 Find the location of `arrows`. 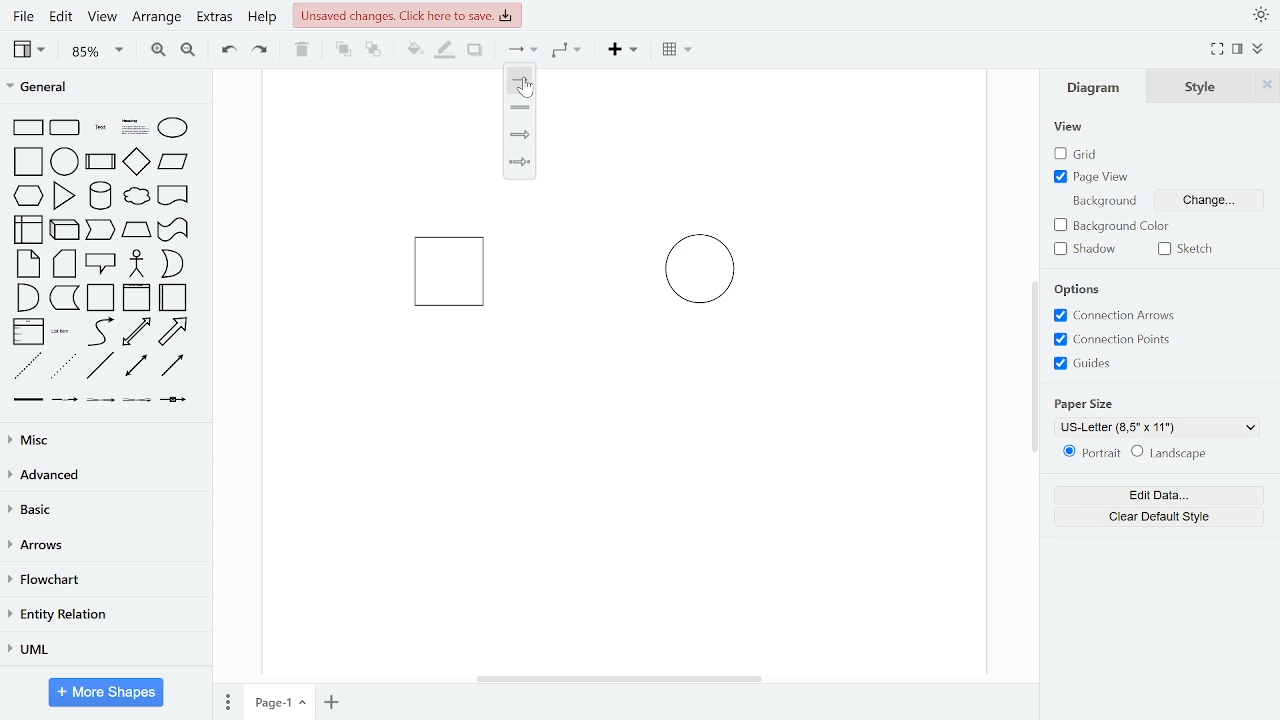

arrows is located at coordinates (103, 546).